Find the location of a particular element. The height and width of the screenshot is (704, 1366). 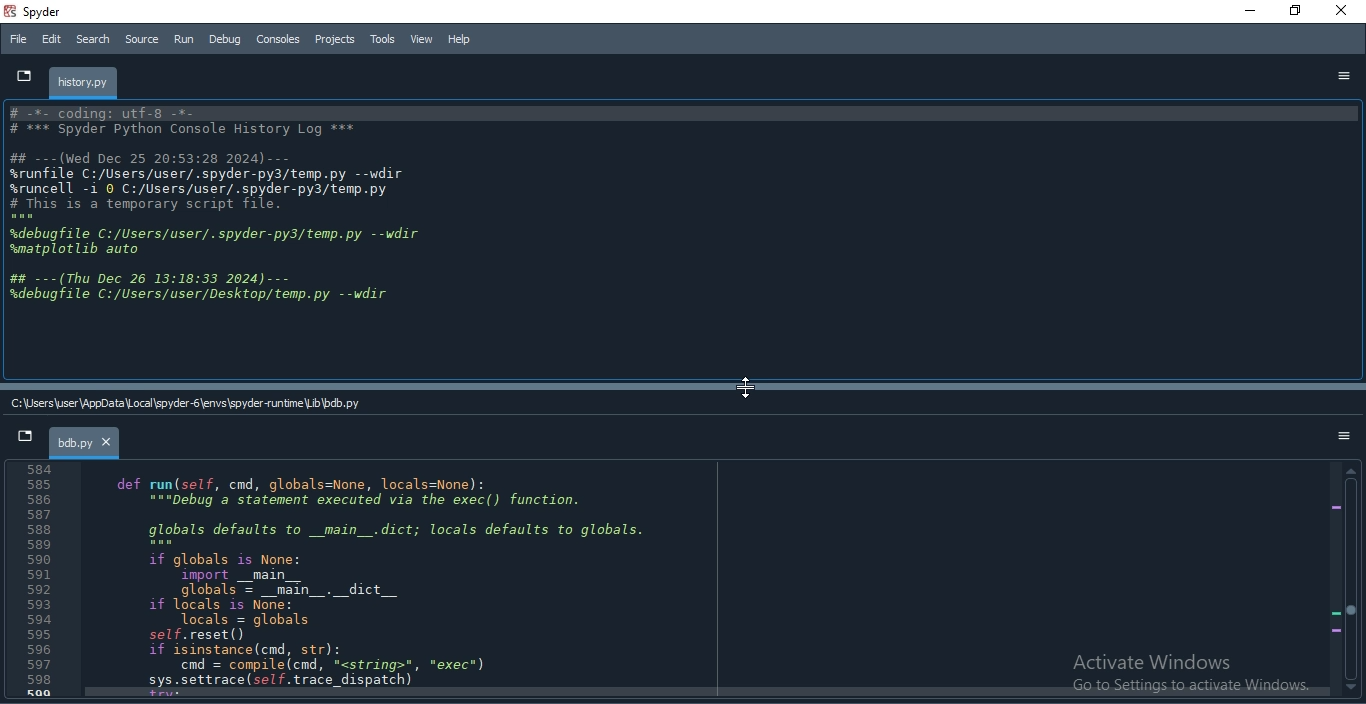

Help is located at coordinates (458, 38).